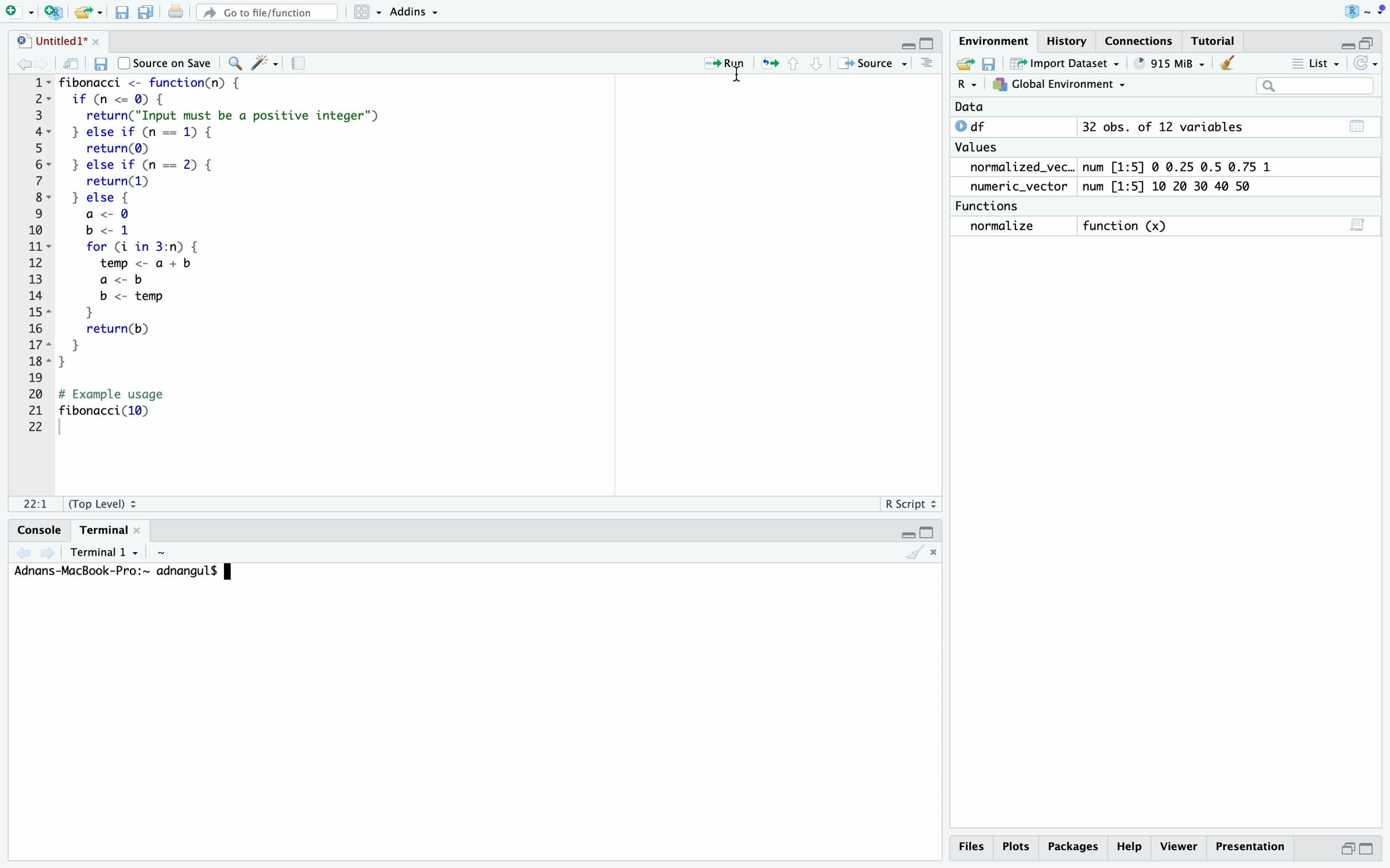  What do you see at coordinates (1359, 223) in the screenshot?
I see `script editor` at bounding box center [1359, 223].